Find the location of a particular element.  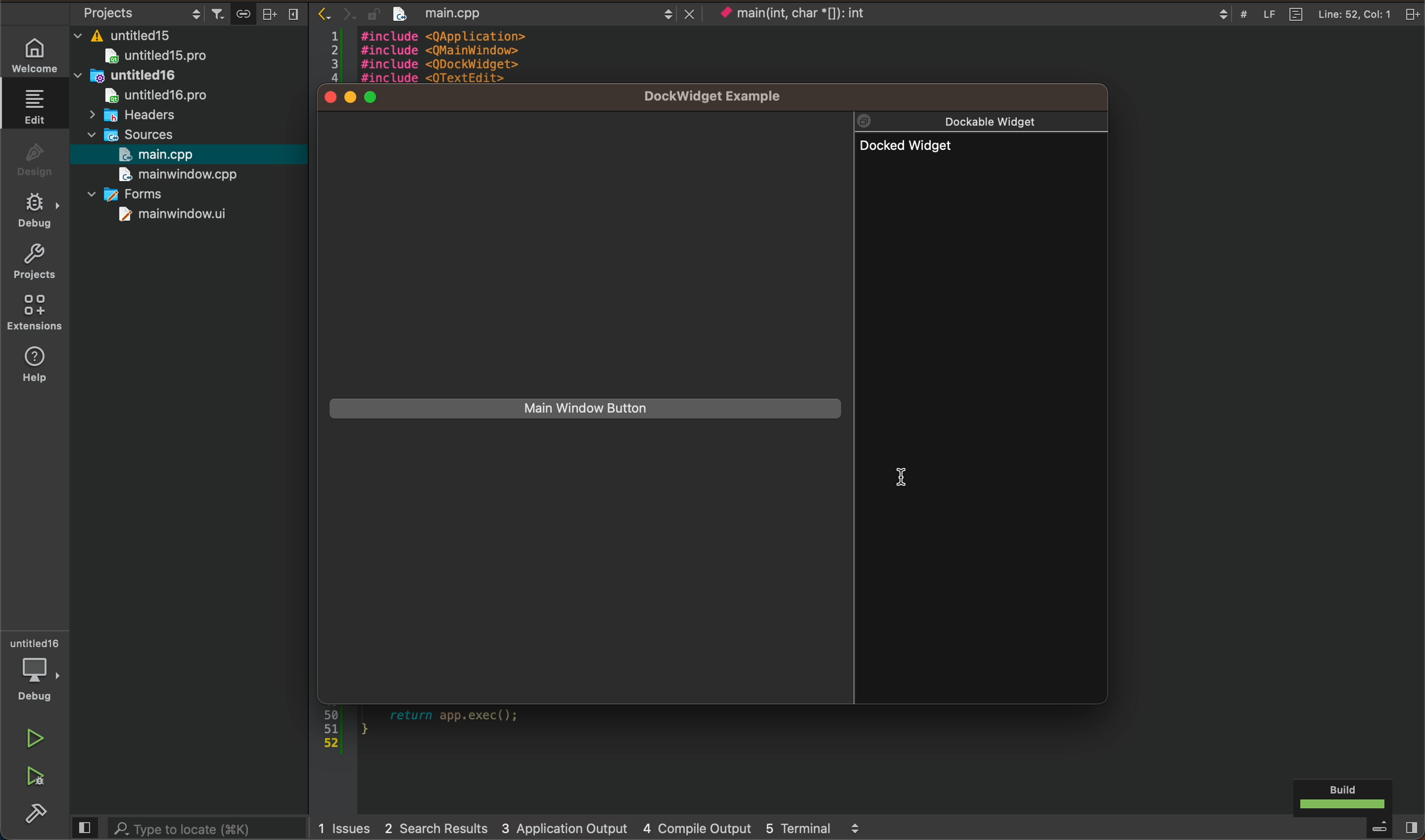

sidebar open is located at coordinates (1393, 828).